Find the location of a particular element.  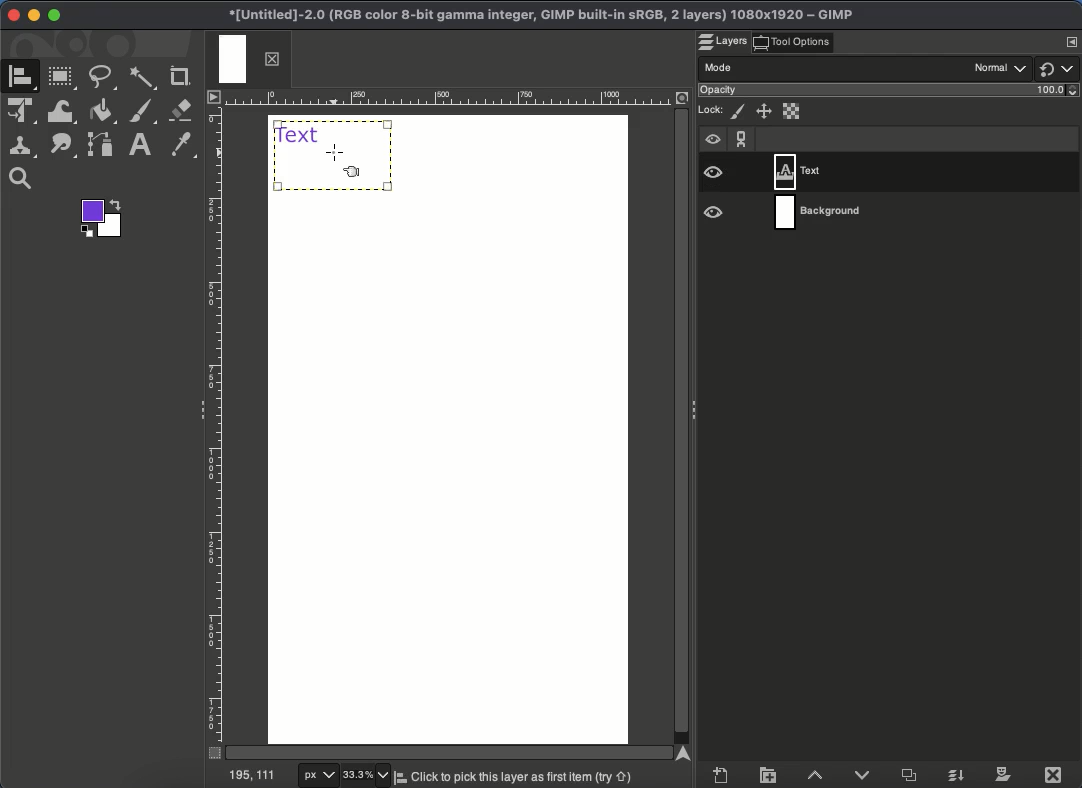

Zoom is located at coordinates (25, 179).